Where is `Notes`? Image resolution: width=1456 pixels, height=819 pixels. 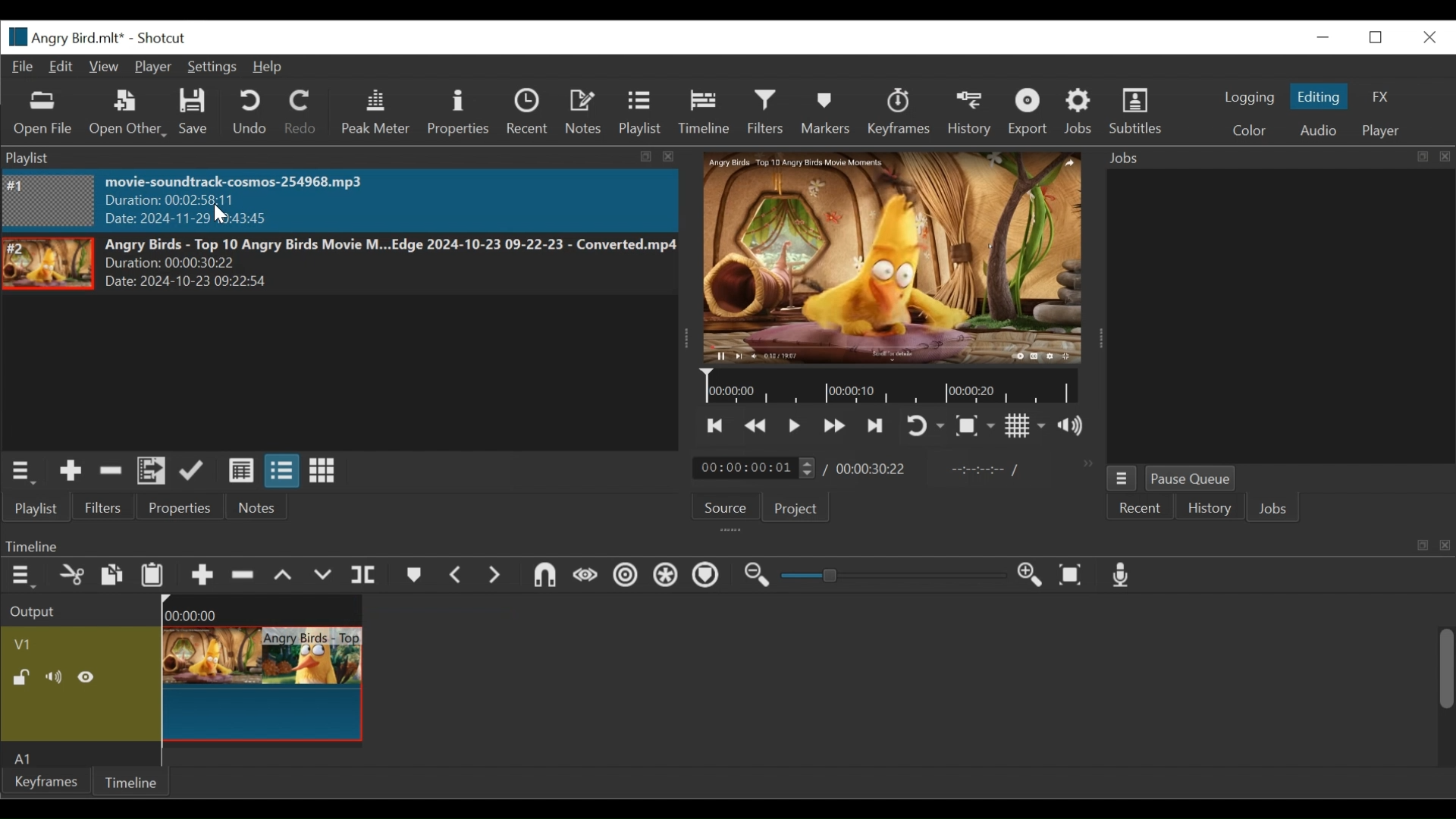 Notes is located at coordinates (256, 508).